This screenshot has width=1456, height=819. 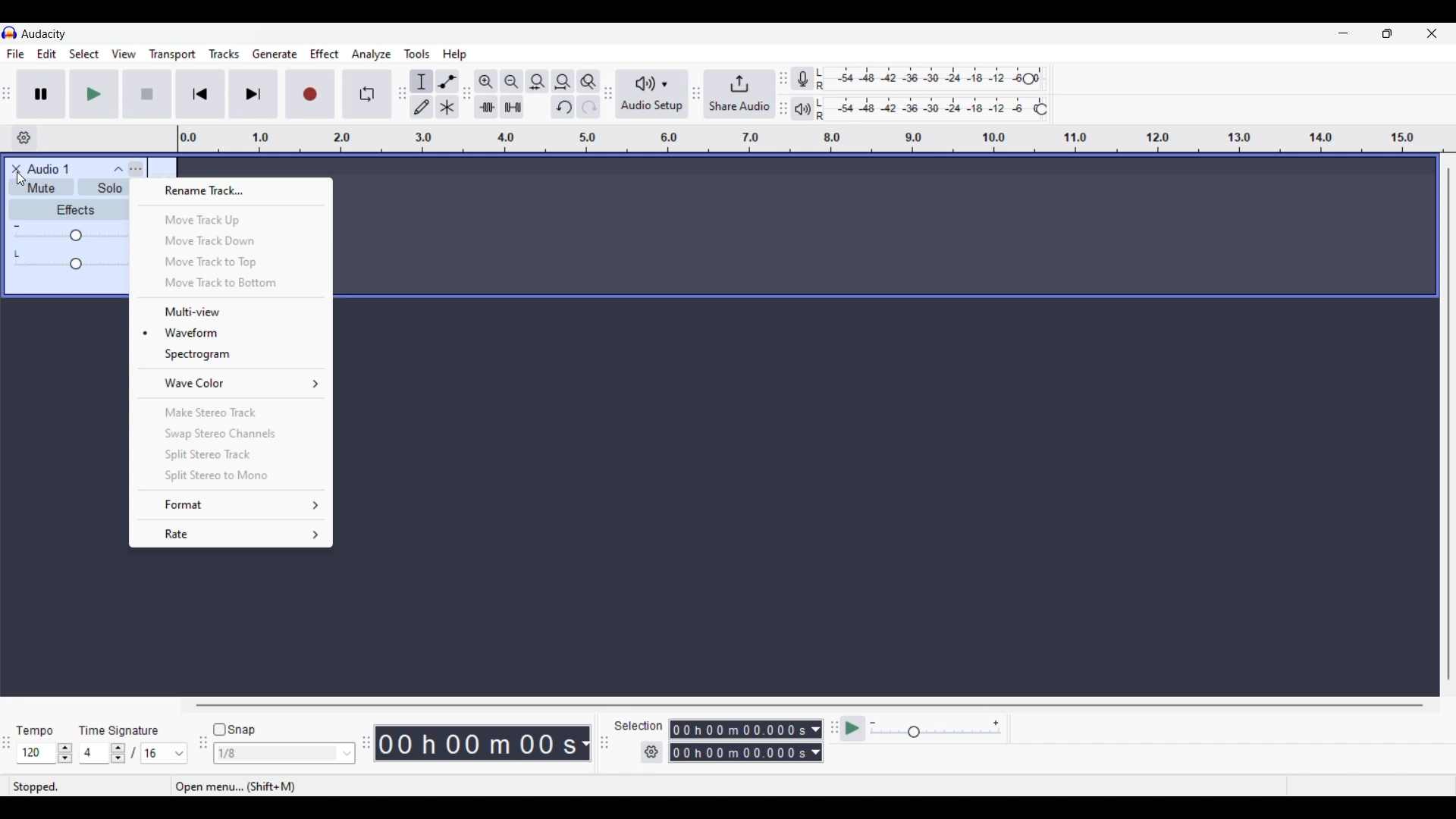 I want to click on Close interface, so click(x=1432, y=33).